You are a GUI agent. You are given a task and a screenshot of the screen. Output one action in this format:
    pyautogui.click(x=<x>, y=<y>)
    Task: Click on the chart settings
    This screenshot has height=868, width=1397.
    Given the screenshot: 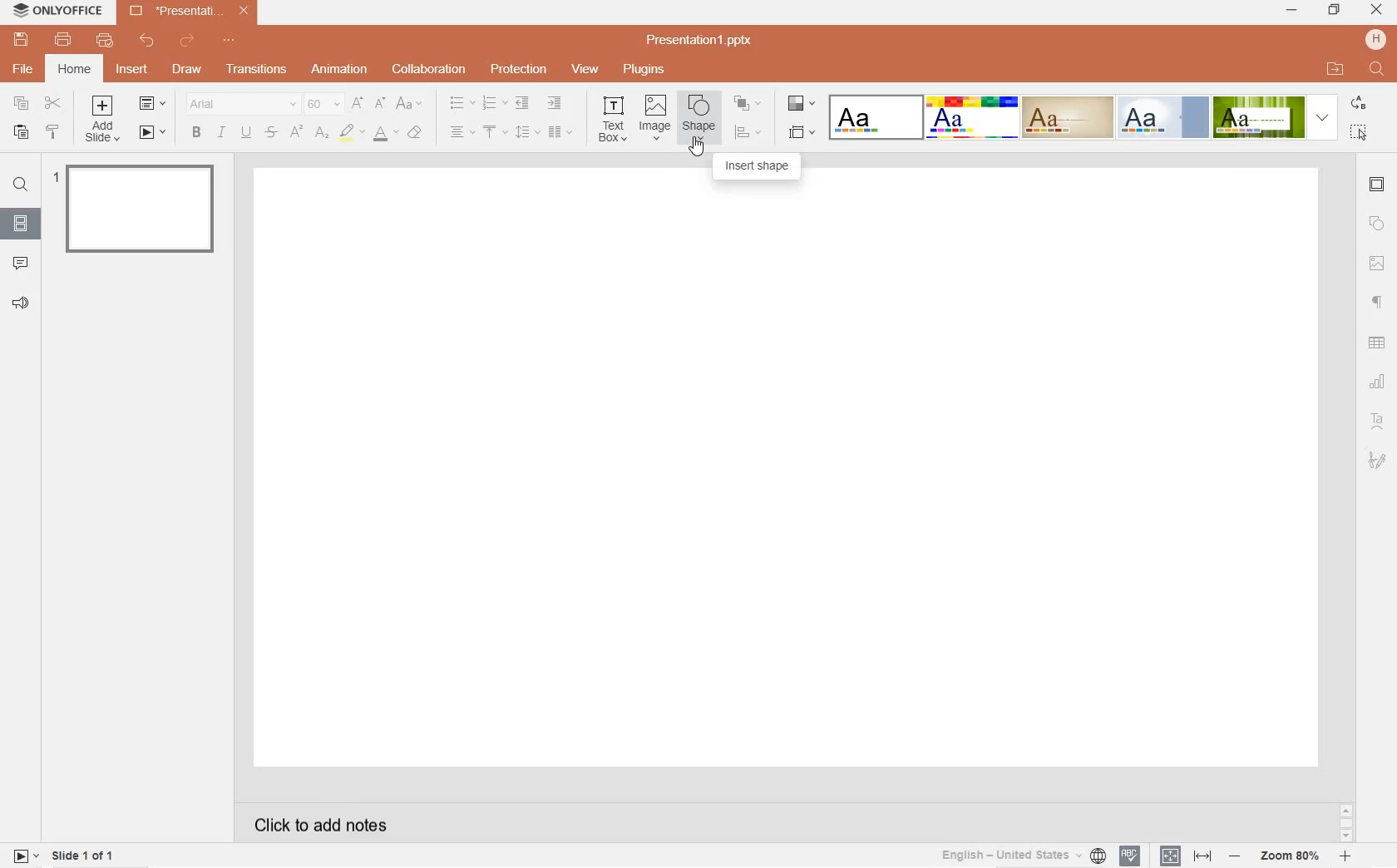 What is the action you would take?
    pyautogui.click(x=1379, y=382)
    